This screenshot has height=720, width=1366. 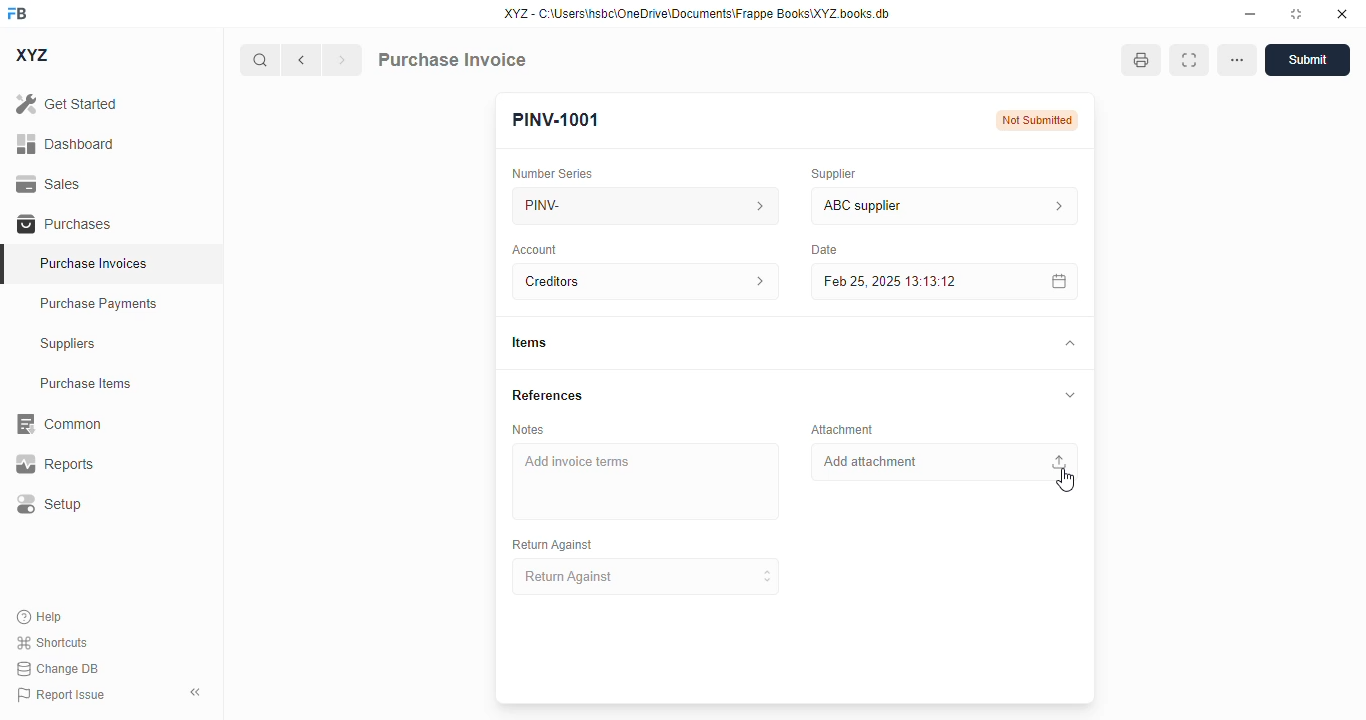 I want to click on dashboard, so click(x=65, y=143).